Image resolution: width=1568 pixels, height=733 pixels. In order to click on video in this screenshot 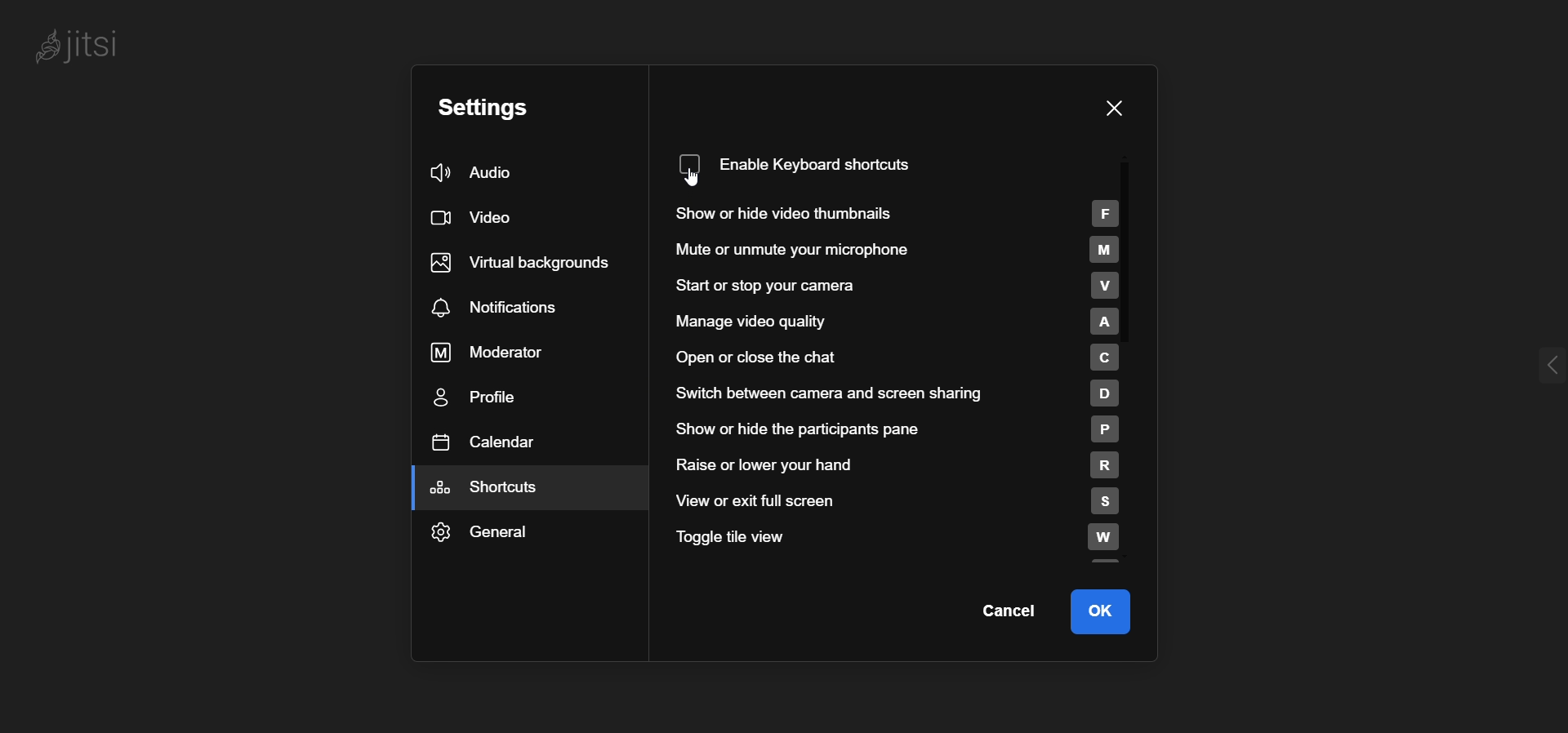, I will do `click(475, 216)`.